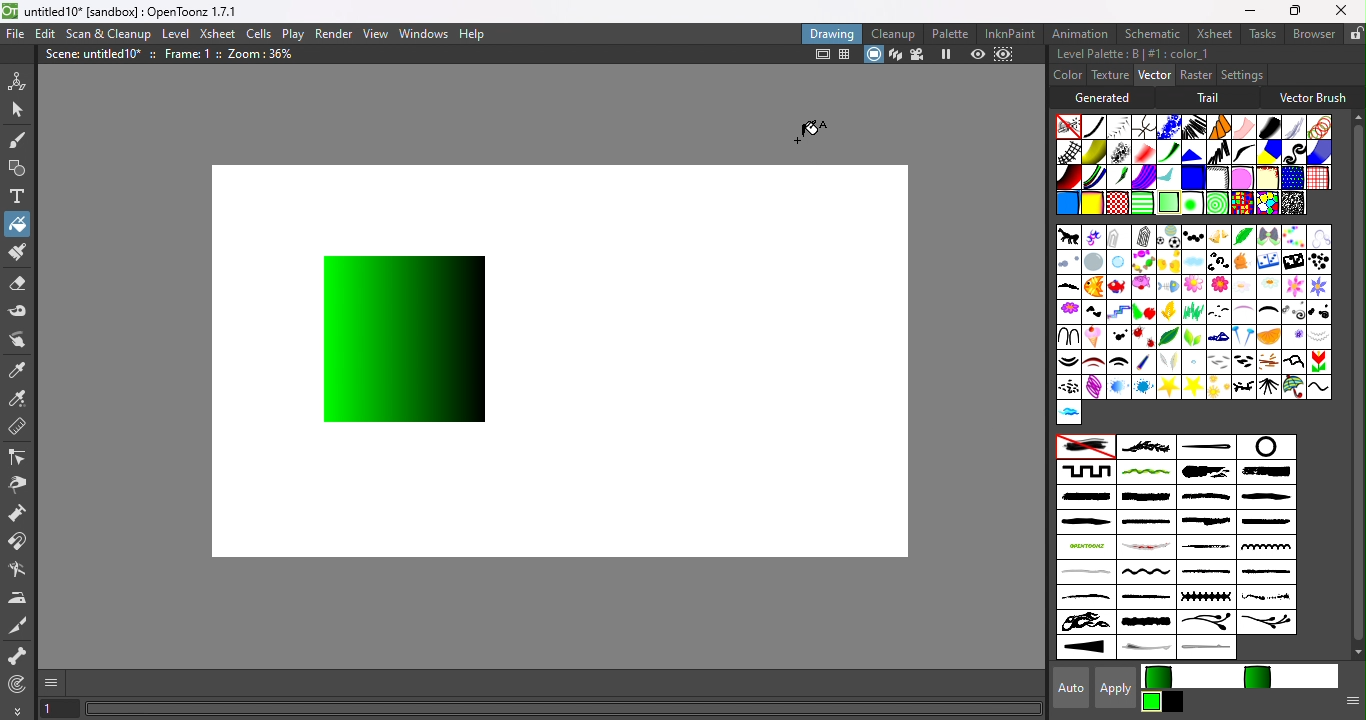 This screenshot has height=720, width=1366. What do you see at coordinates (1084, 523) in the screenshot?
I see `medium_brush3` at bounding box center [1084, 523].